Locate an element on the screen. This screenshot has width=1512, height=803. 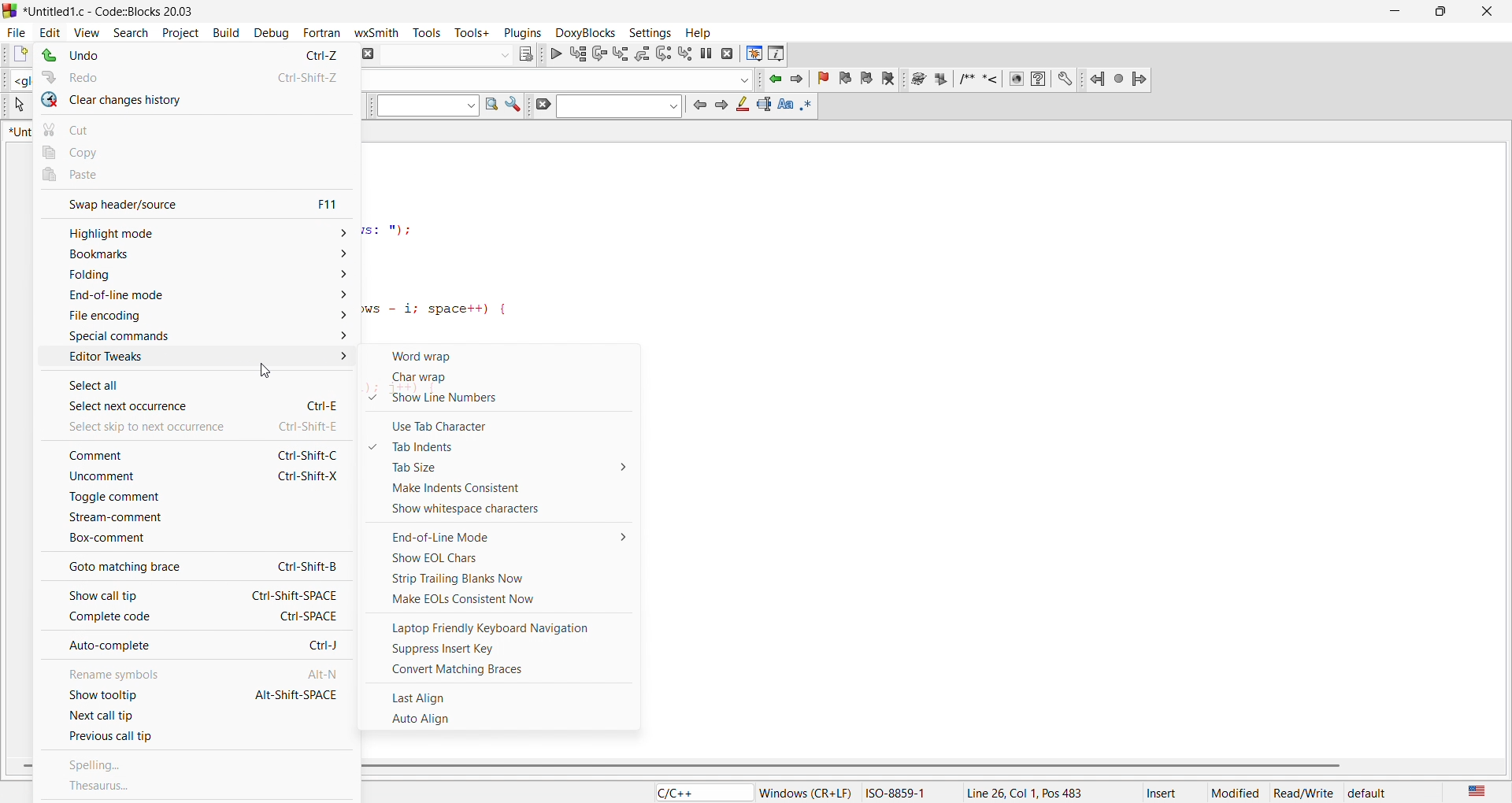
select skip to new occurance is located at coordinates (134, 428).